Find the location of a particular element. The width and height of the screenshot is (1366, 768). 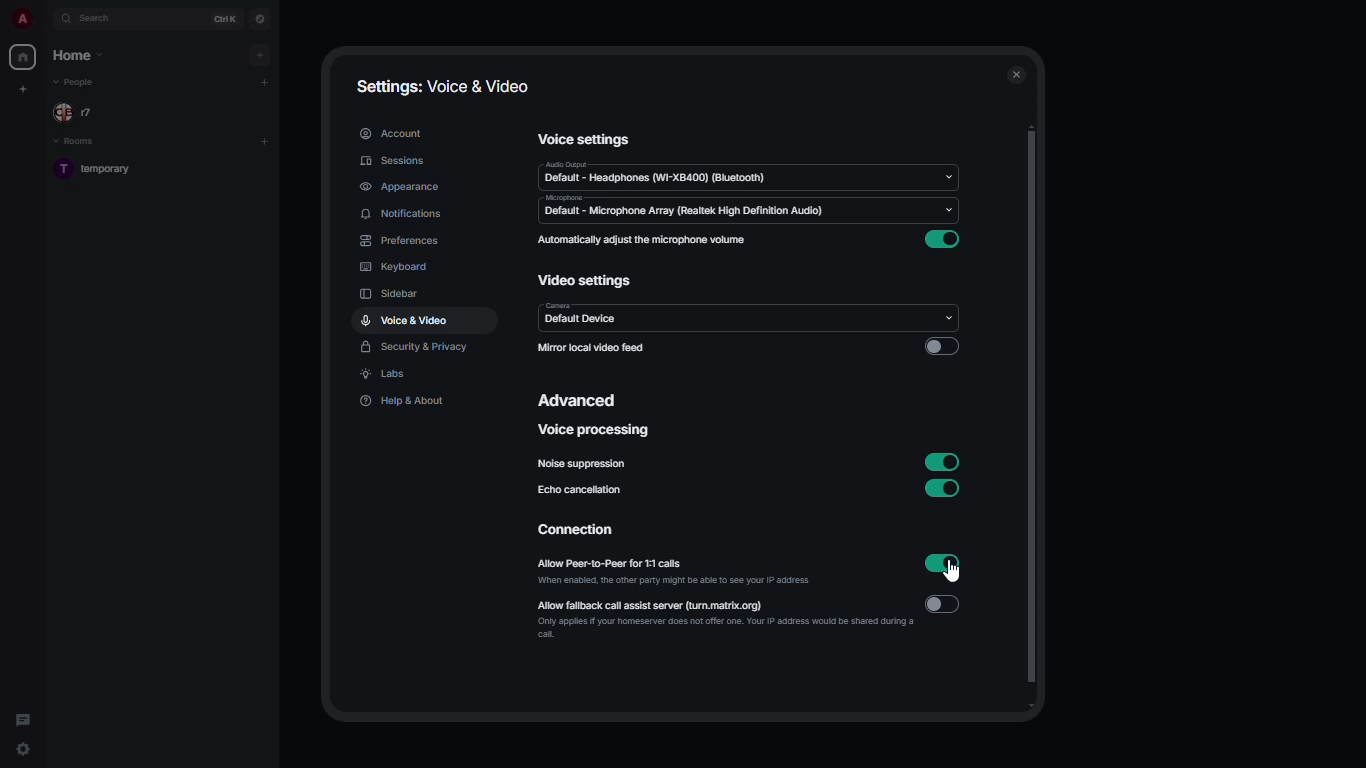

account is located at coordinates (389, 132).